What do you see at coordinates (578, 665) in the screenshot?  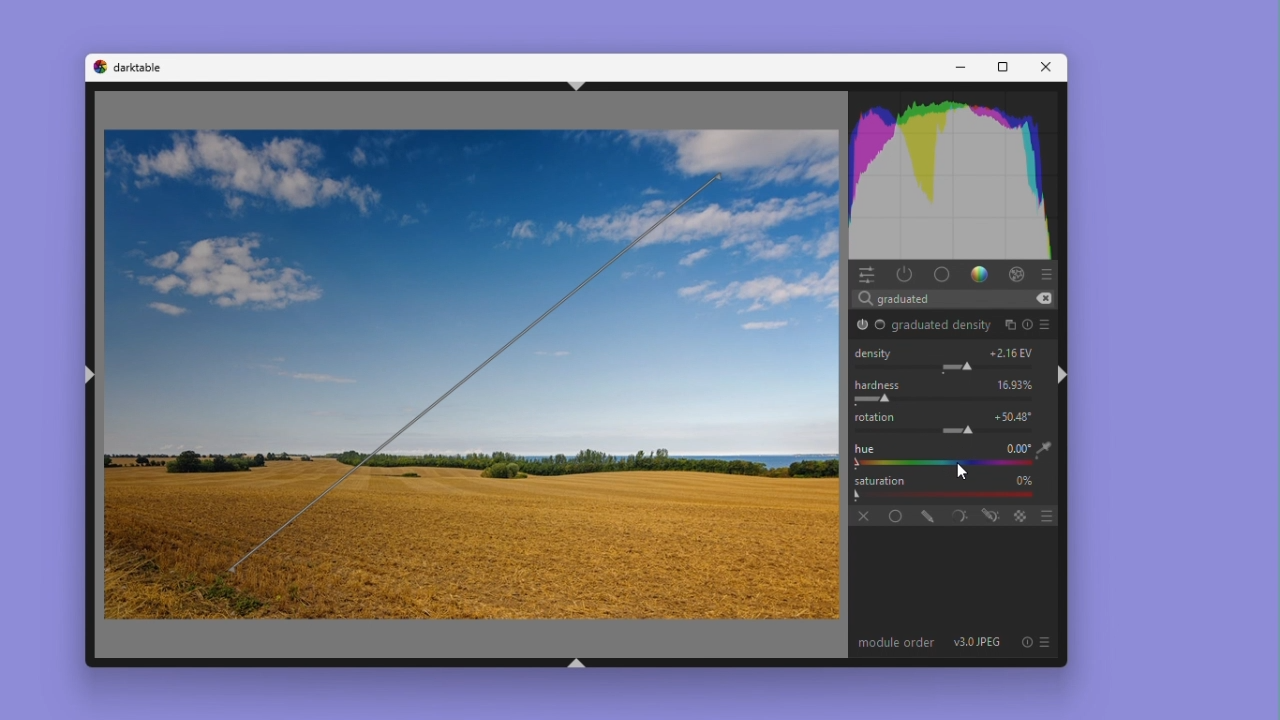 I see `shift+ctrl+b` at bounding box center [578, 665].